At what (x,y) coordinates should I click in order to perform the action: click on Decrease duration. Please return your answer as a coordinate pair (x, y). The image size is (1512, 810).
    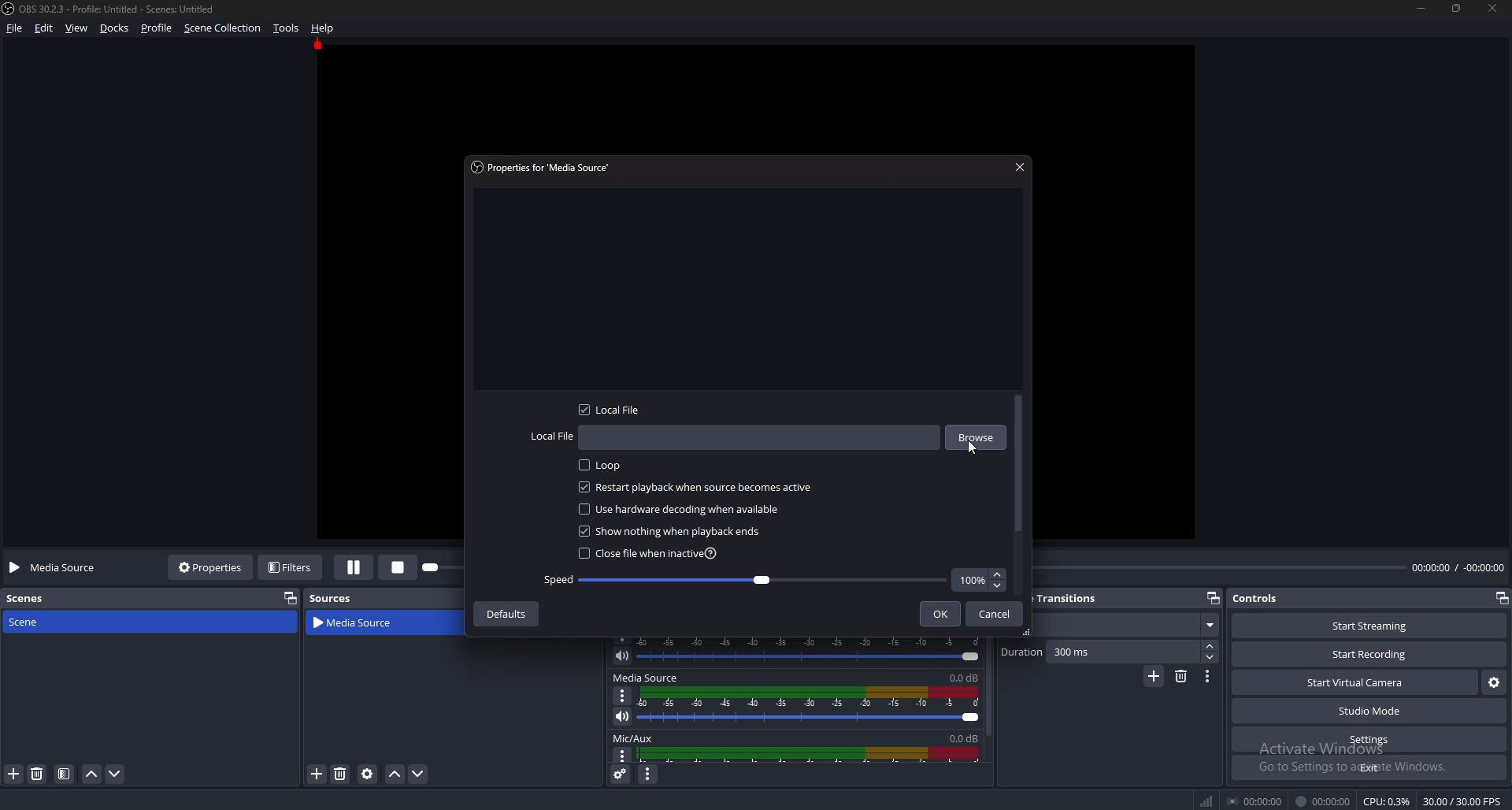
    Looking at the image, I should click on (1211, 657).